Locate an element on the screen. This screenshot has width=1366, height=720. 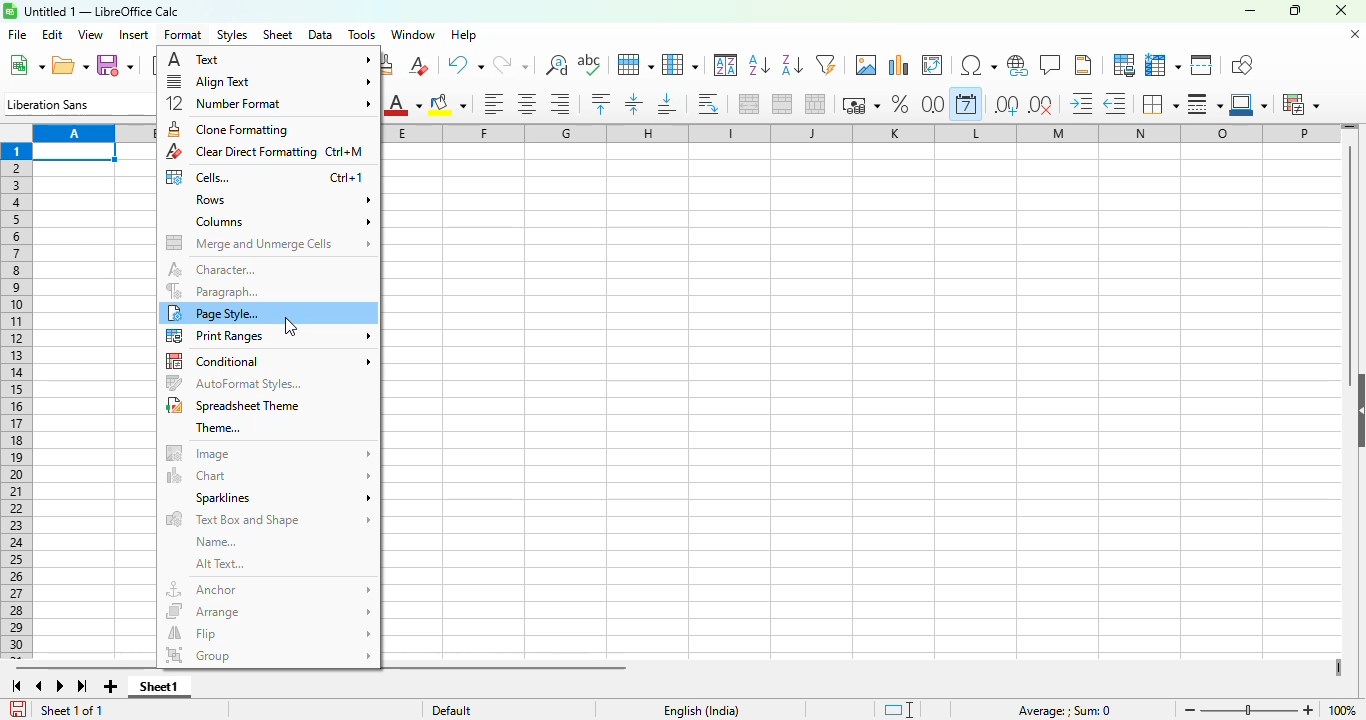
tools is located at coordinates (362, 34).